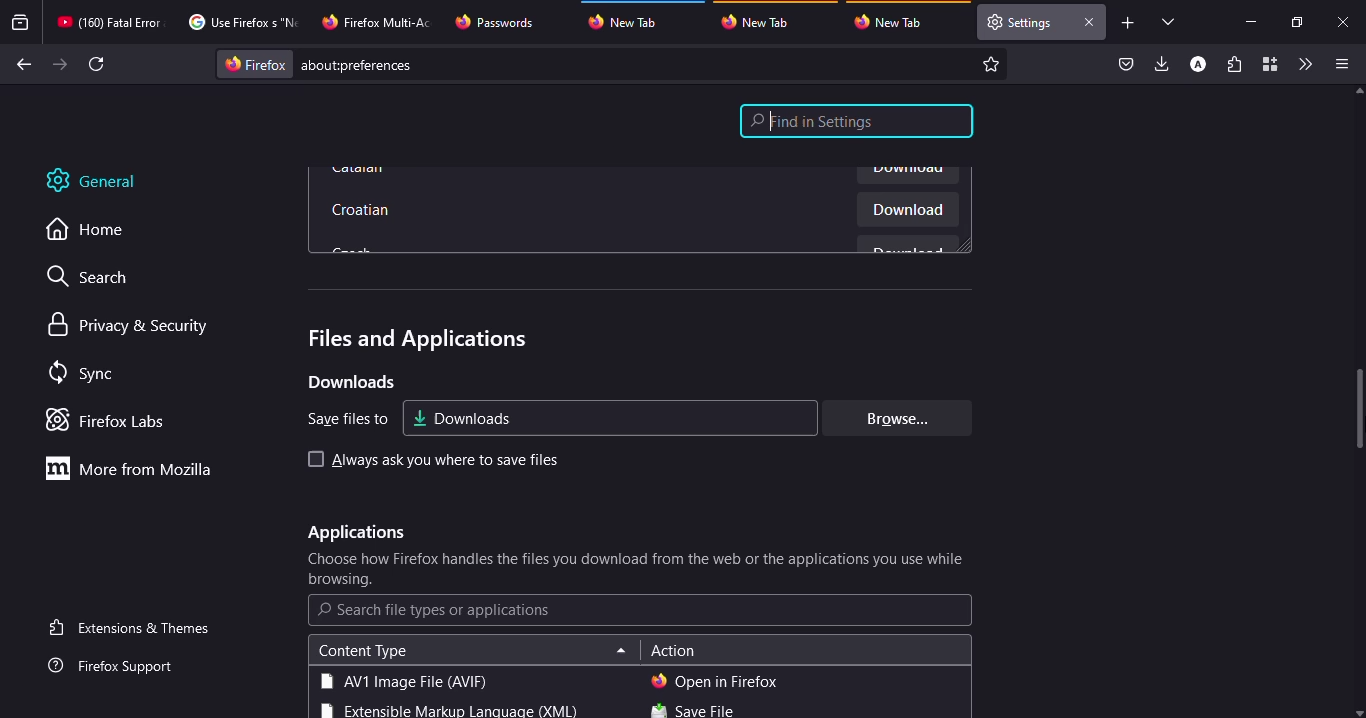  What do you see at coordinates (131, 326) in the screenshot?
I see `privacy` at bounding box center [131, 326].